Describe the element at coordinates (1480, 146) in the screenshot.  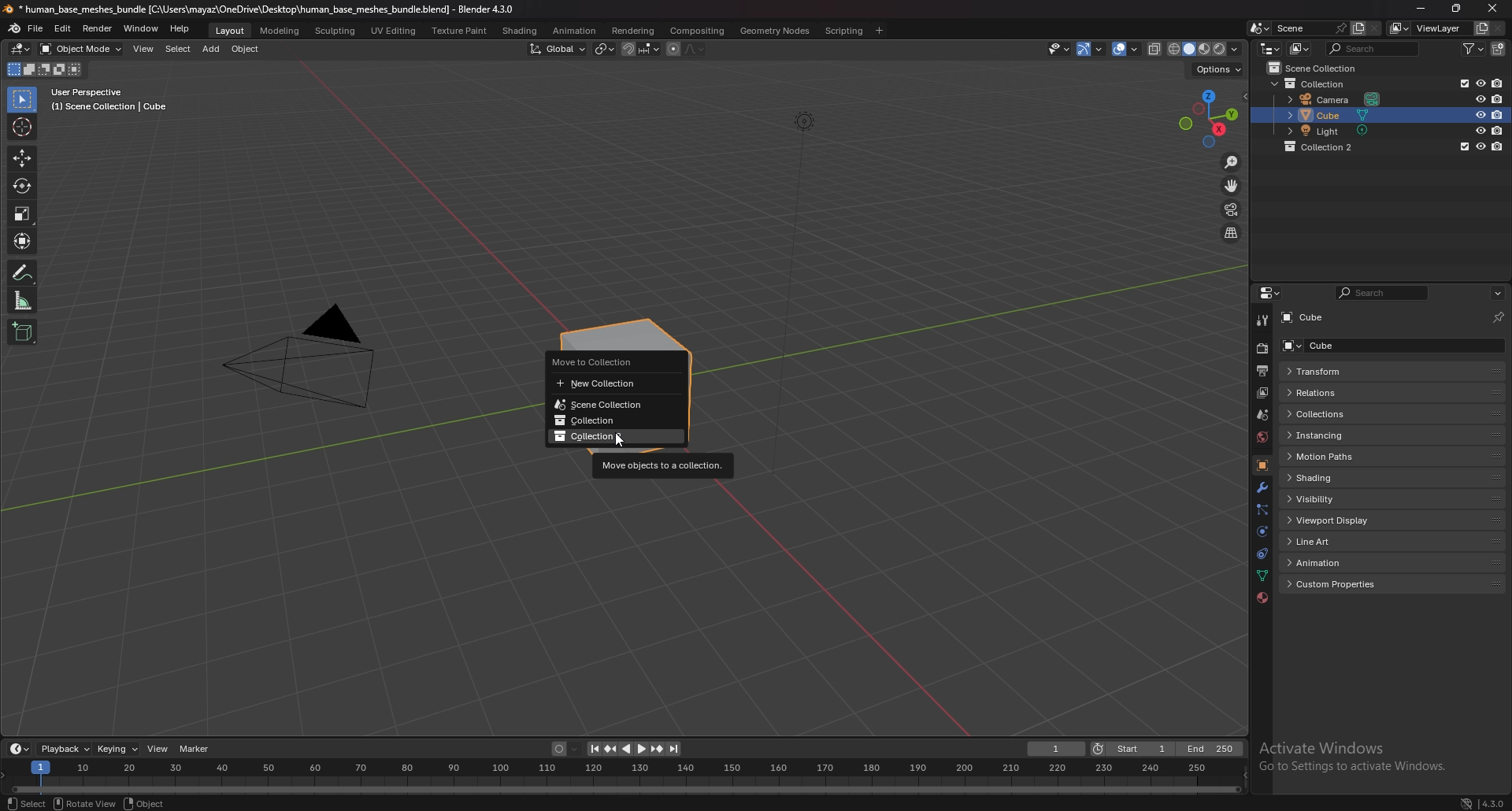
I see `hide in viewport` at that location.